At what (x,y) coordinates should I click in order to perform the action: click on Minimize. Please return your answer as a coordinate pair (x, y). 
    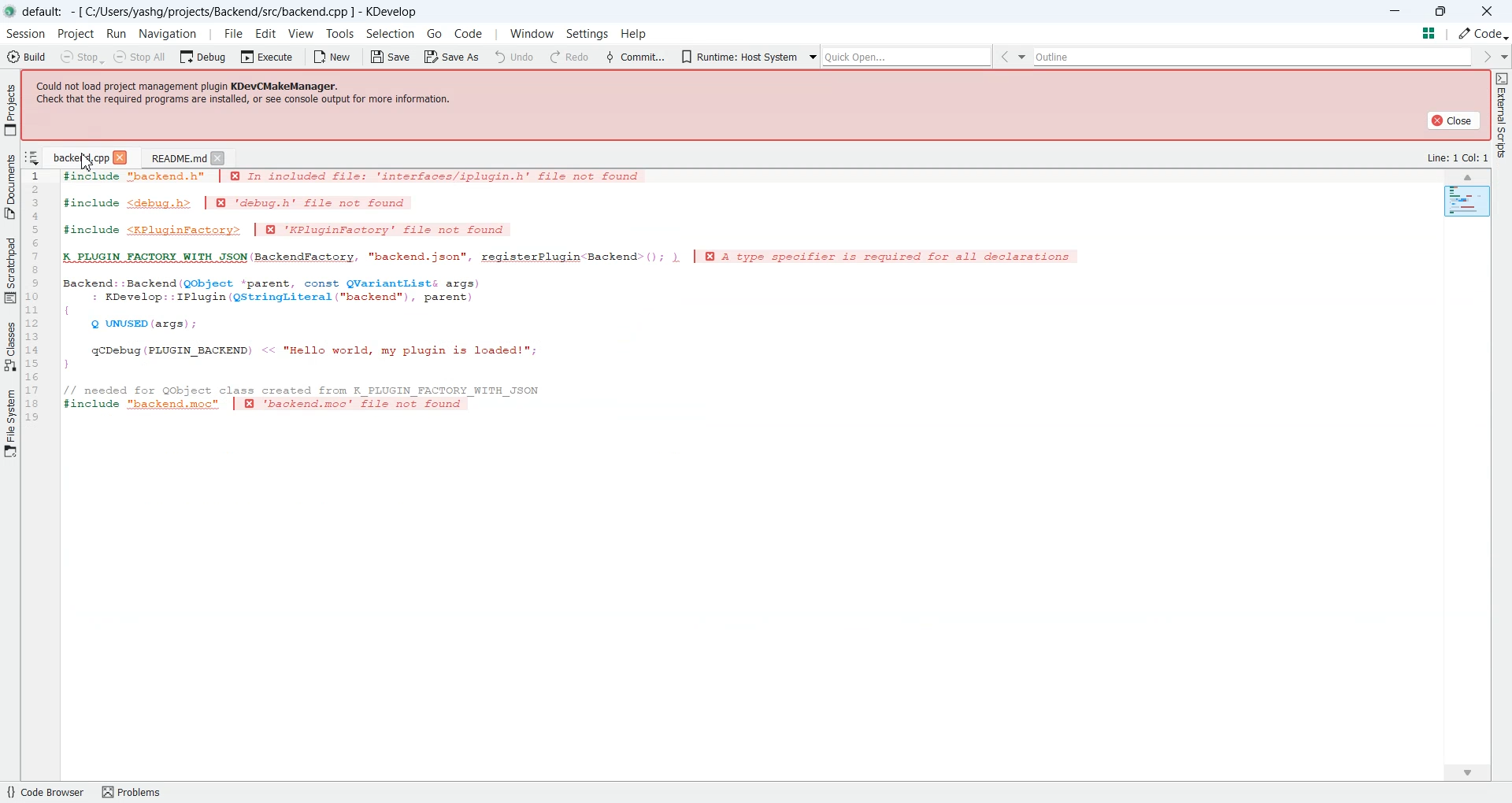
    Looking at the image, I should click on (1397, 11).